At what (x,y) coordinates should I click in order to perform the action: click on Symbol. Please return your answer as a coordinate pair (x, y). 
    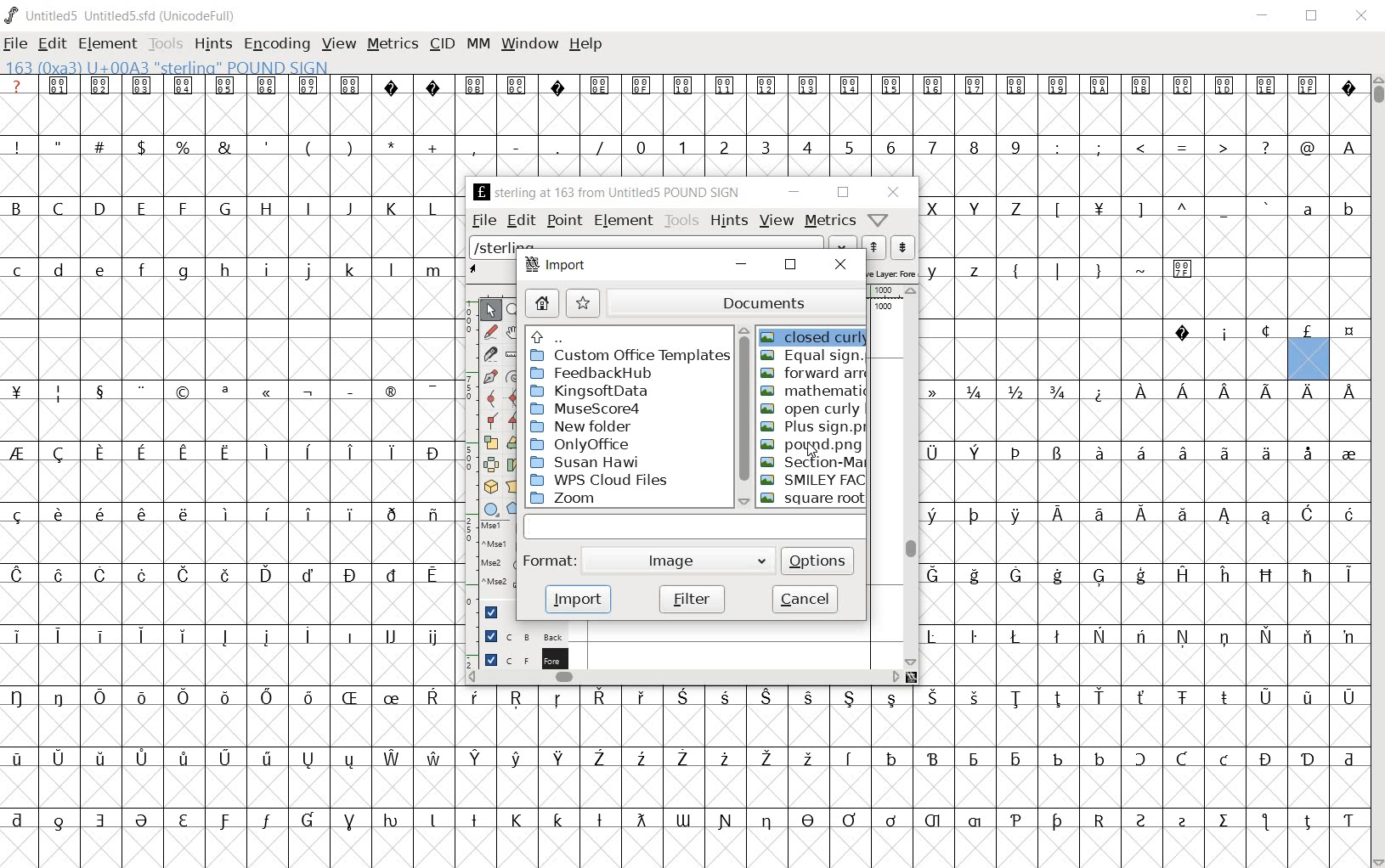
    Looking at the image, I should click on (1348, 453).